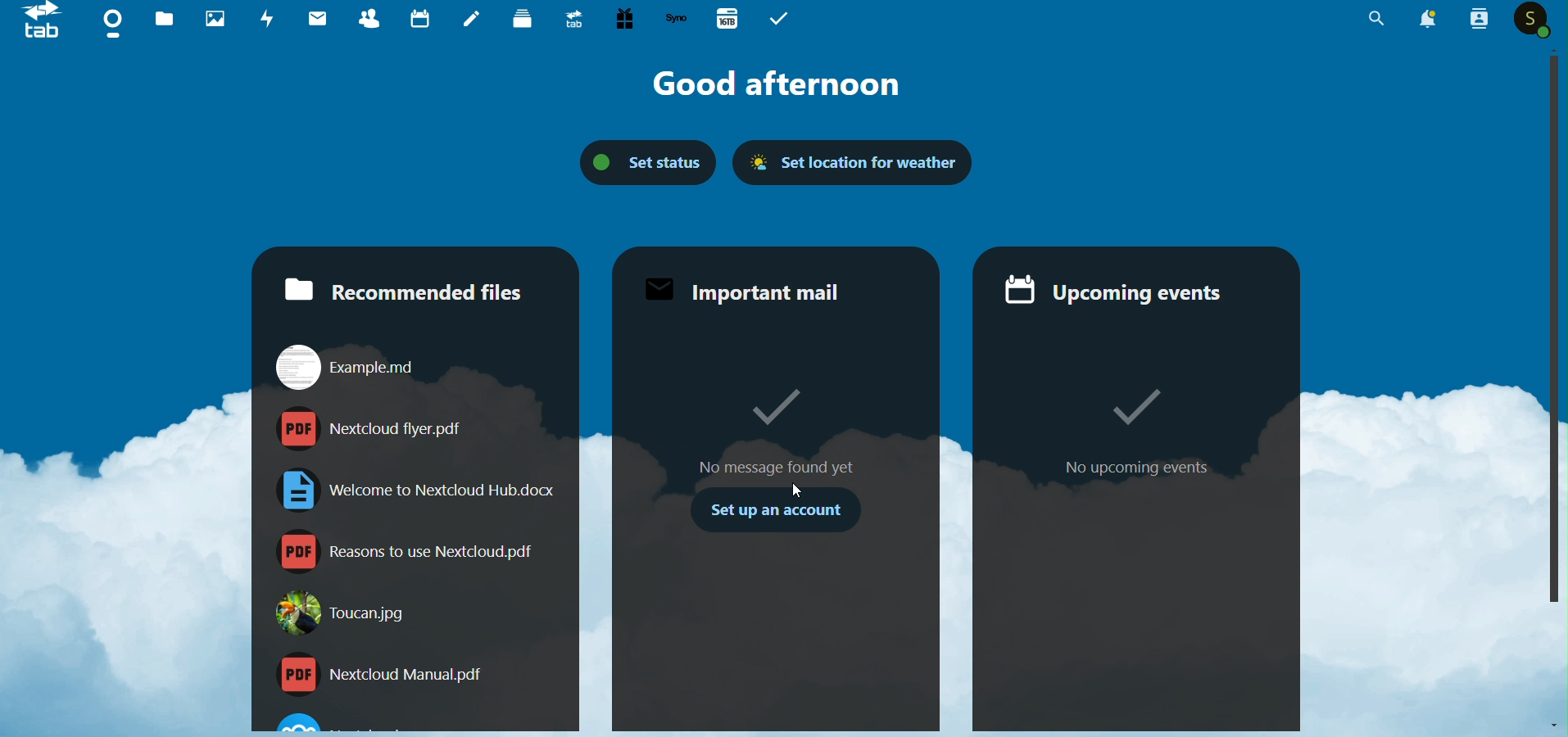  I want to click on Activity, so click(261, 18).